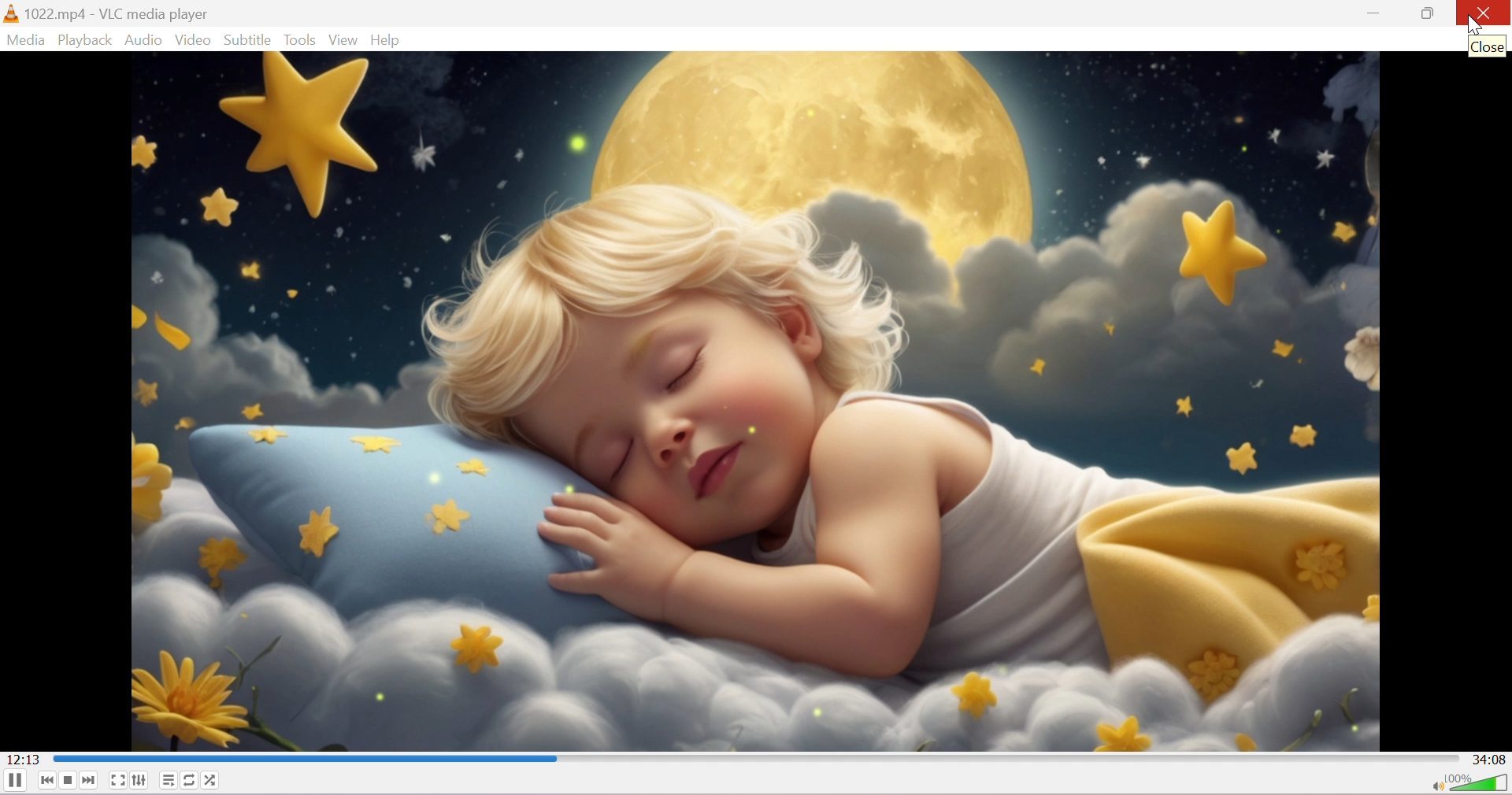 The image size is (1512, 795). What do you see at coordinates (192, 780) in the screenshot?
I see `Click to toggle between loop all, loop one and no loop` at bounding box center [192, 780].